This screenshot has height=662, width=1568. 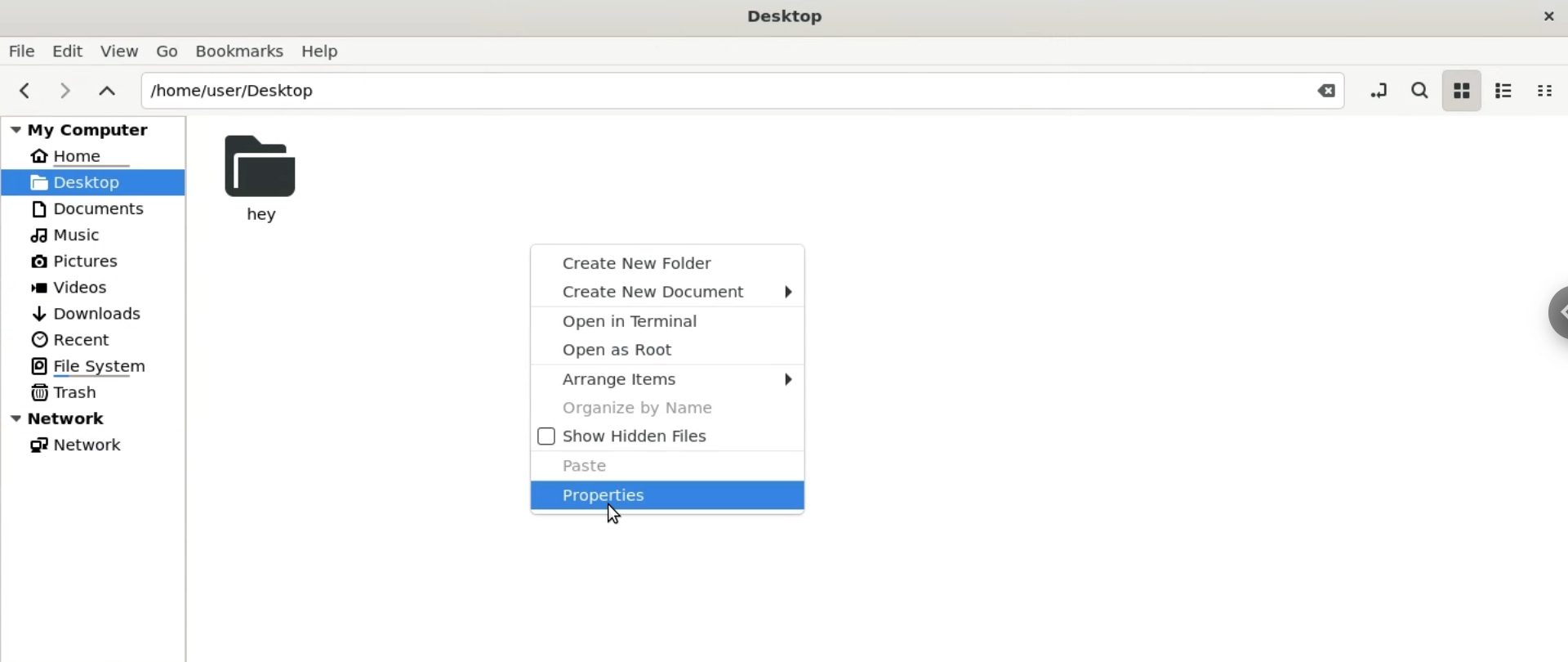 What do you see at coordinates (65, 233) in the screenshot?
I see `music` at bounding box center [65, 233].